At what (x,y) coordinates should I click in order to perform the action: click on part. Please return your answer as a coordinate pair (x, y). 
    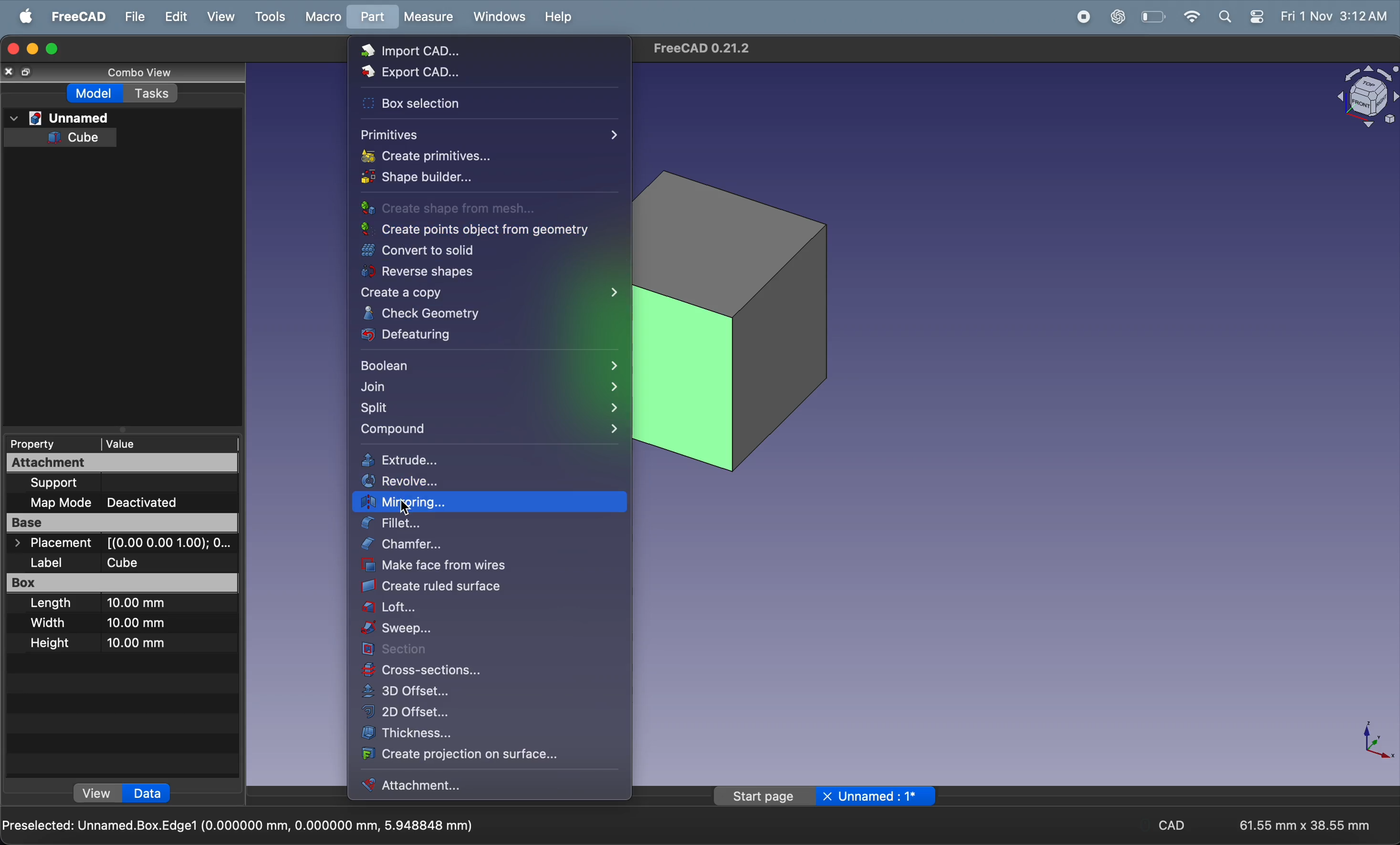
    Looking at the image, I should click on (372, 17).